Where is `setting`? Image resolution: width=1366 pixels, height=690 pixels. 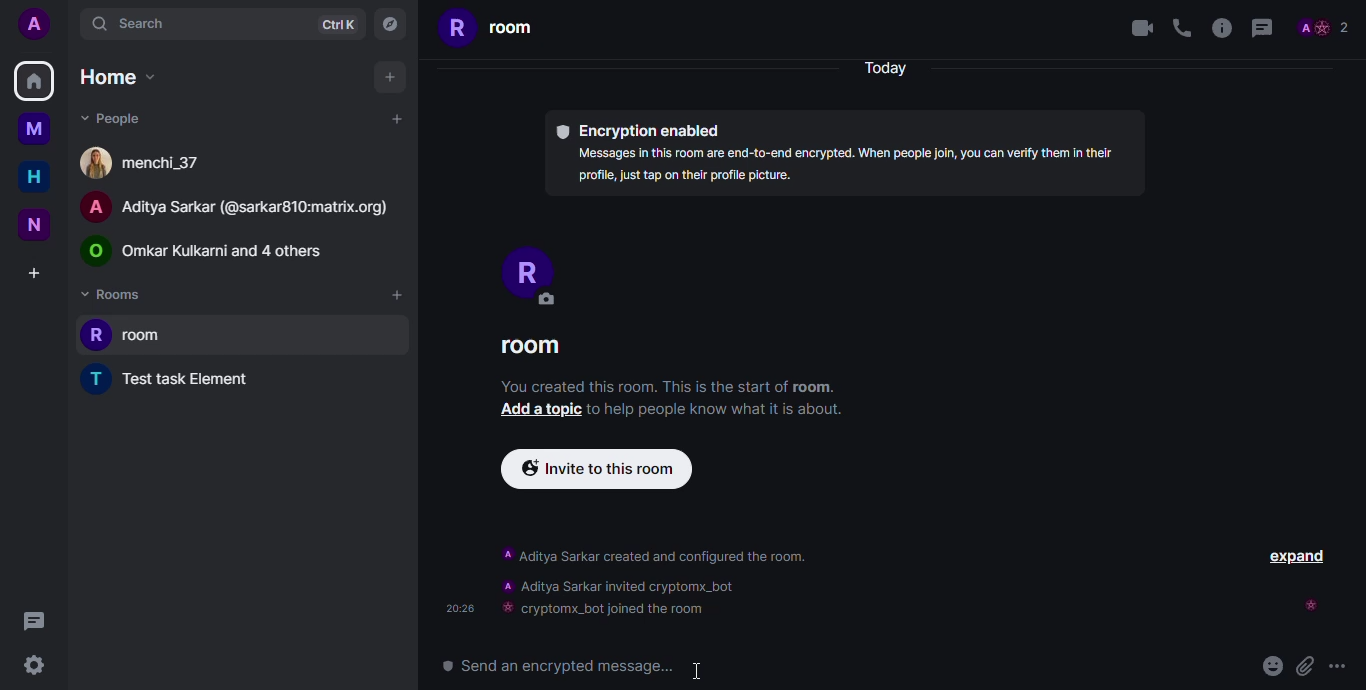 setting is located at coordinates (34, 668).